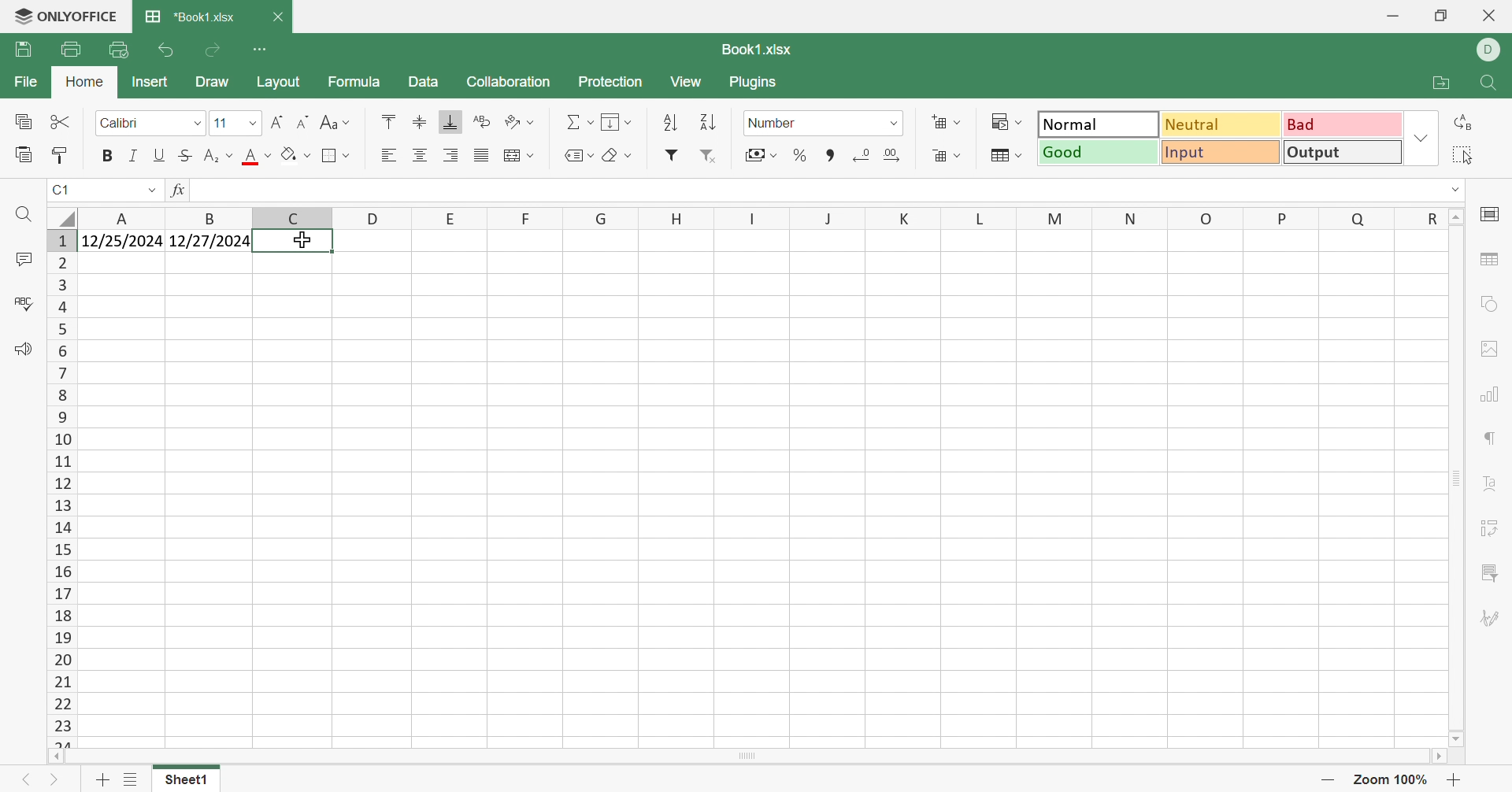 The width and height of the screenshot is (1512, 792). What do you see at coordinates (510, 81) in the screenshot?
I see `Collaboration` at bounding box center [510, 81].